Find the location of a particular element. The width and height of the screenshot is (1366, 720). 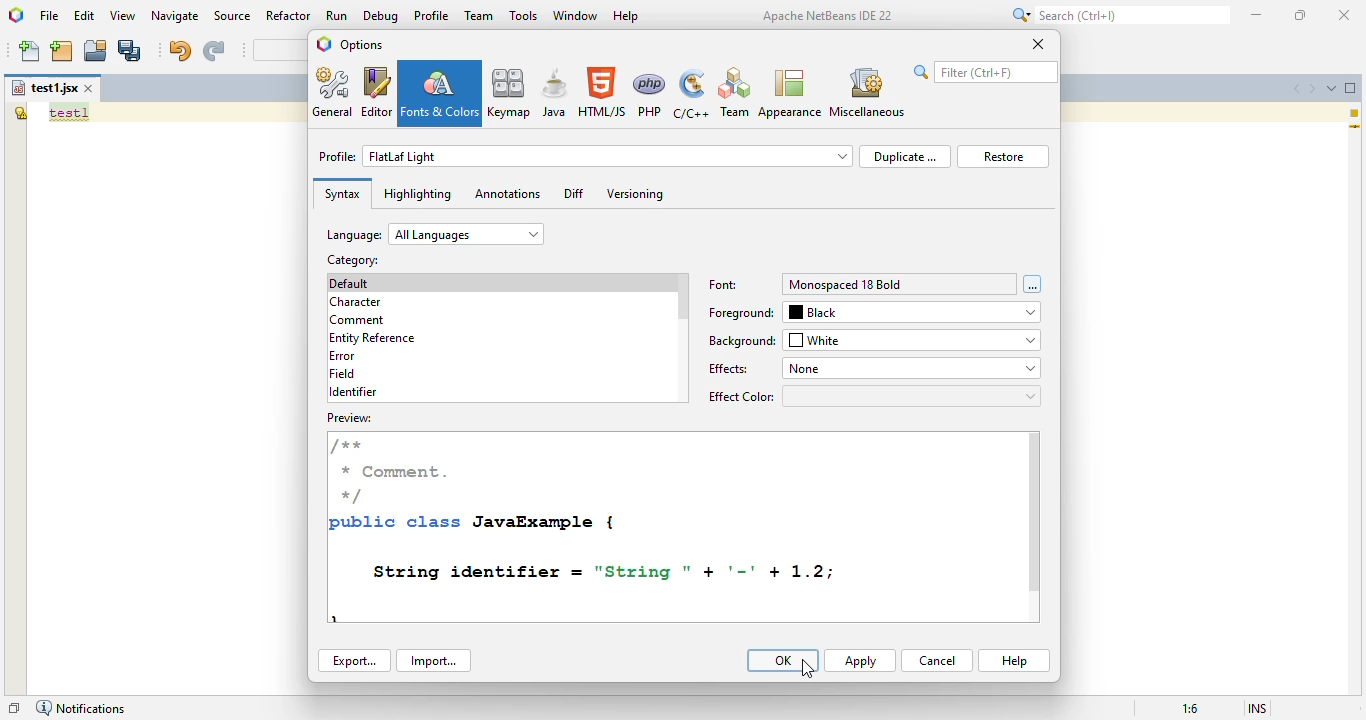

foreground: is located at coordinates (743, 311).